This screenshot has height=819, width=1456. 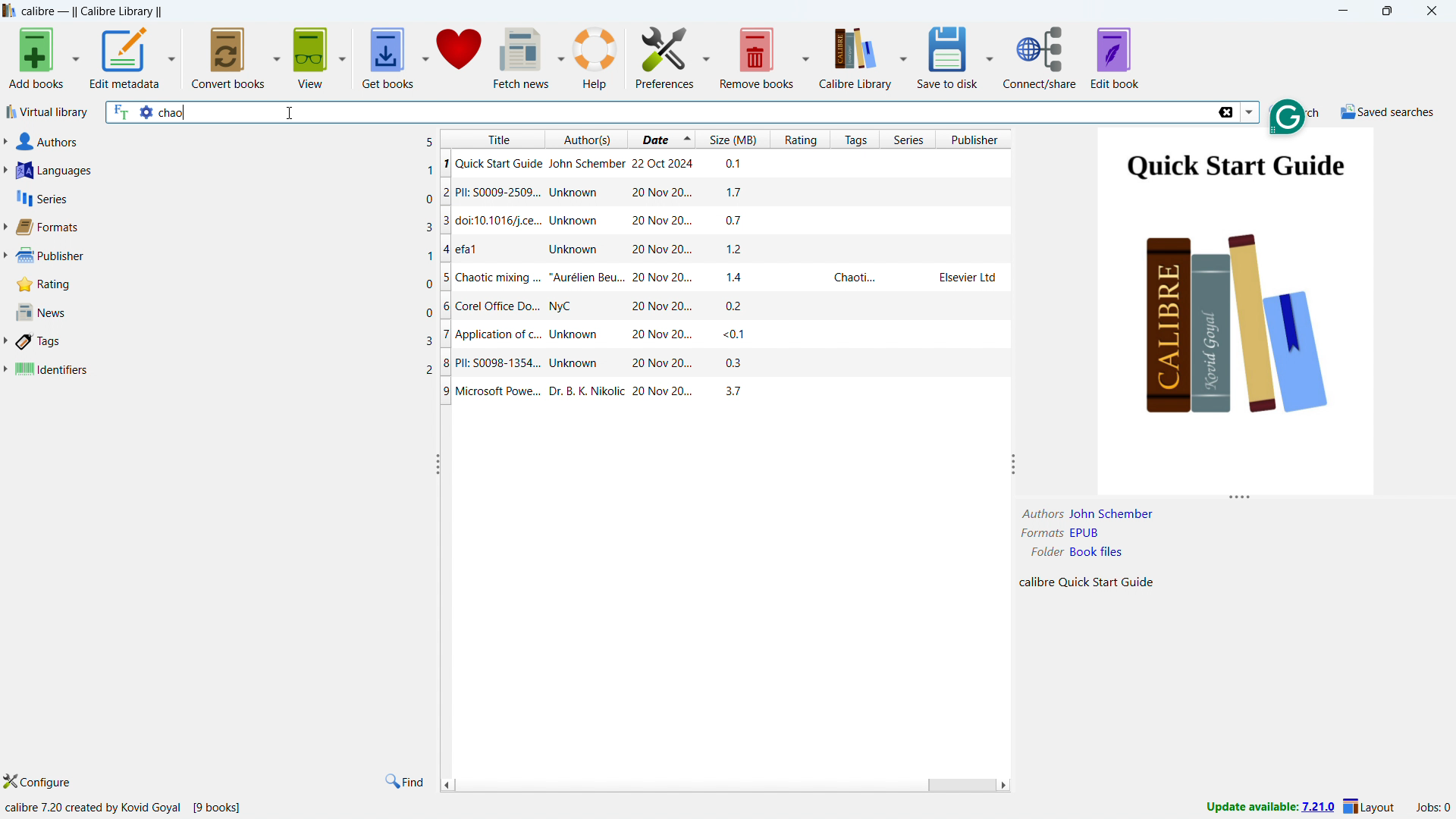 What do you see at coordinates (664, 57) in the screenshot?
I see `preference ` at bounding box center [664, 57].